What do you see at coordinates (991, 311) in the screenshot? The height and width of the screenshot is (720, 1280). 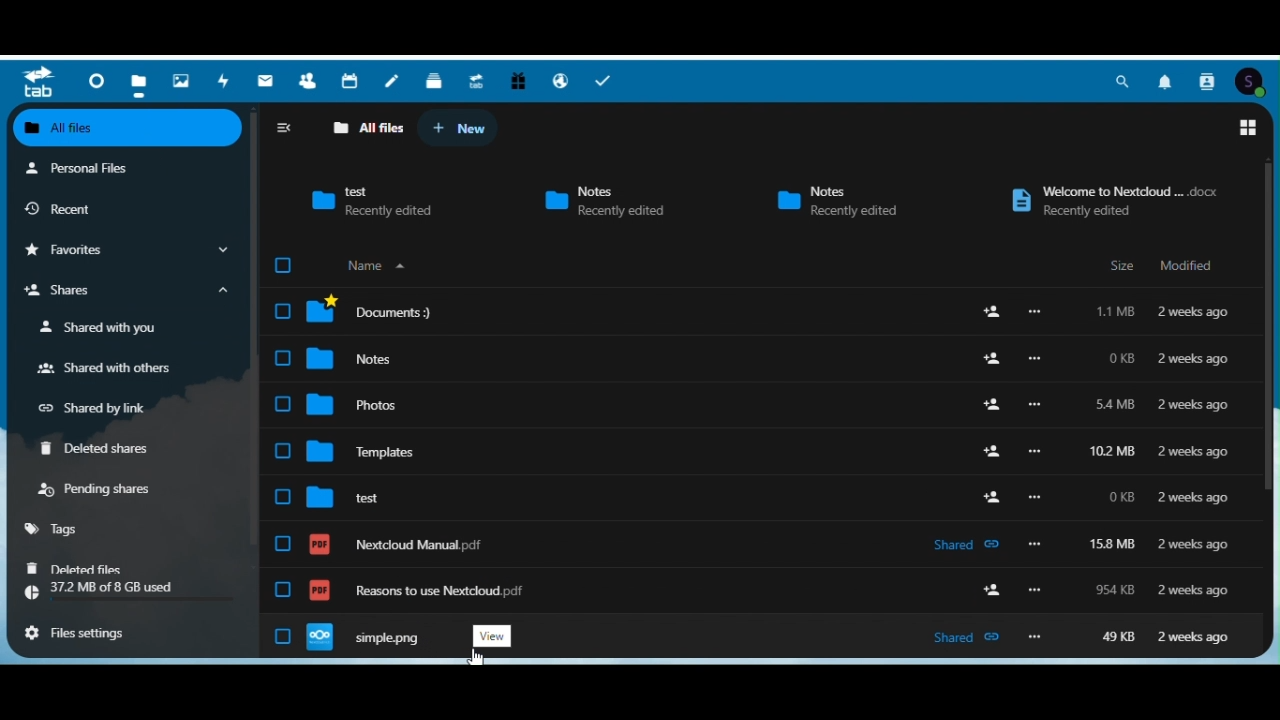 I see `add` at bounding box center [991, 311].